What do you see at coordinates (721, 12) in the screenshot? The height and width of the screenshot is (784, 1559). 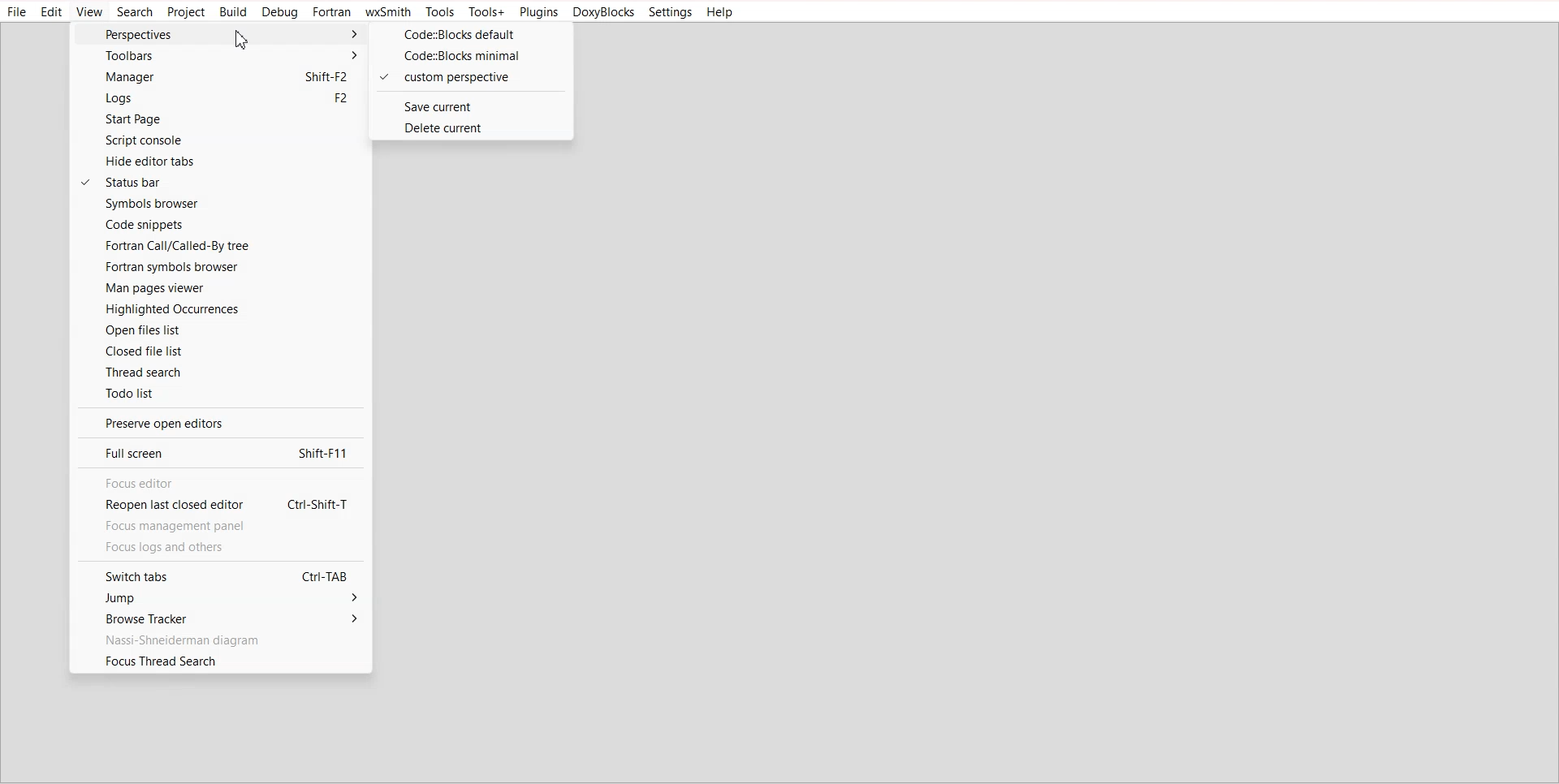 I see `Help` at bounding box center [721, 12].